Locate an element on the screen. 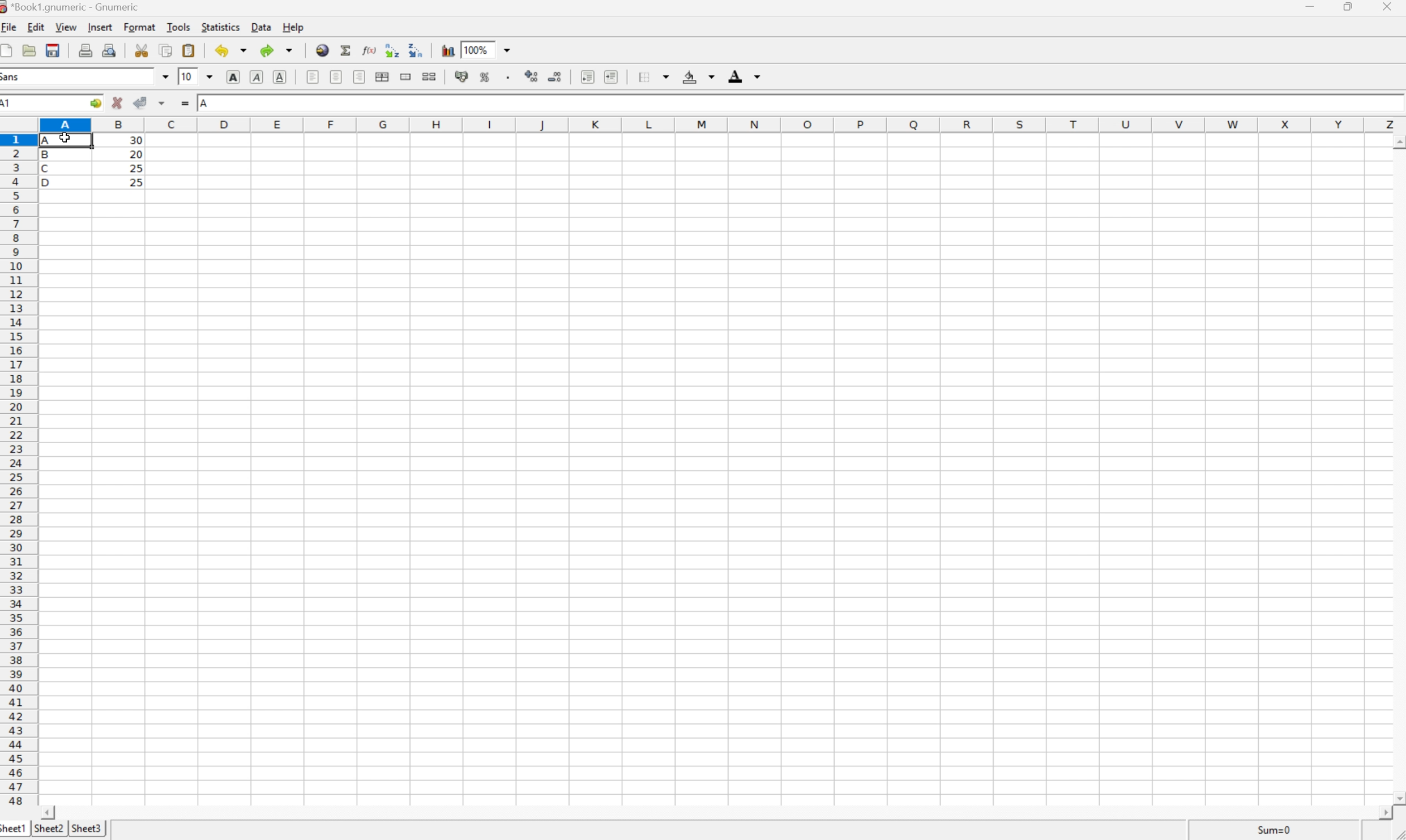  Scroll Right is located at coordinates (1381, 813).